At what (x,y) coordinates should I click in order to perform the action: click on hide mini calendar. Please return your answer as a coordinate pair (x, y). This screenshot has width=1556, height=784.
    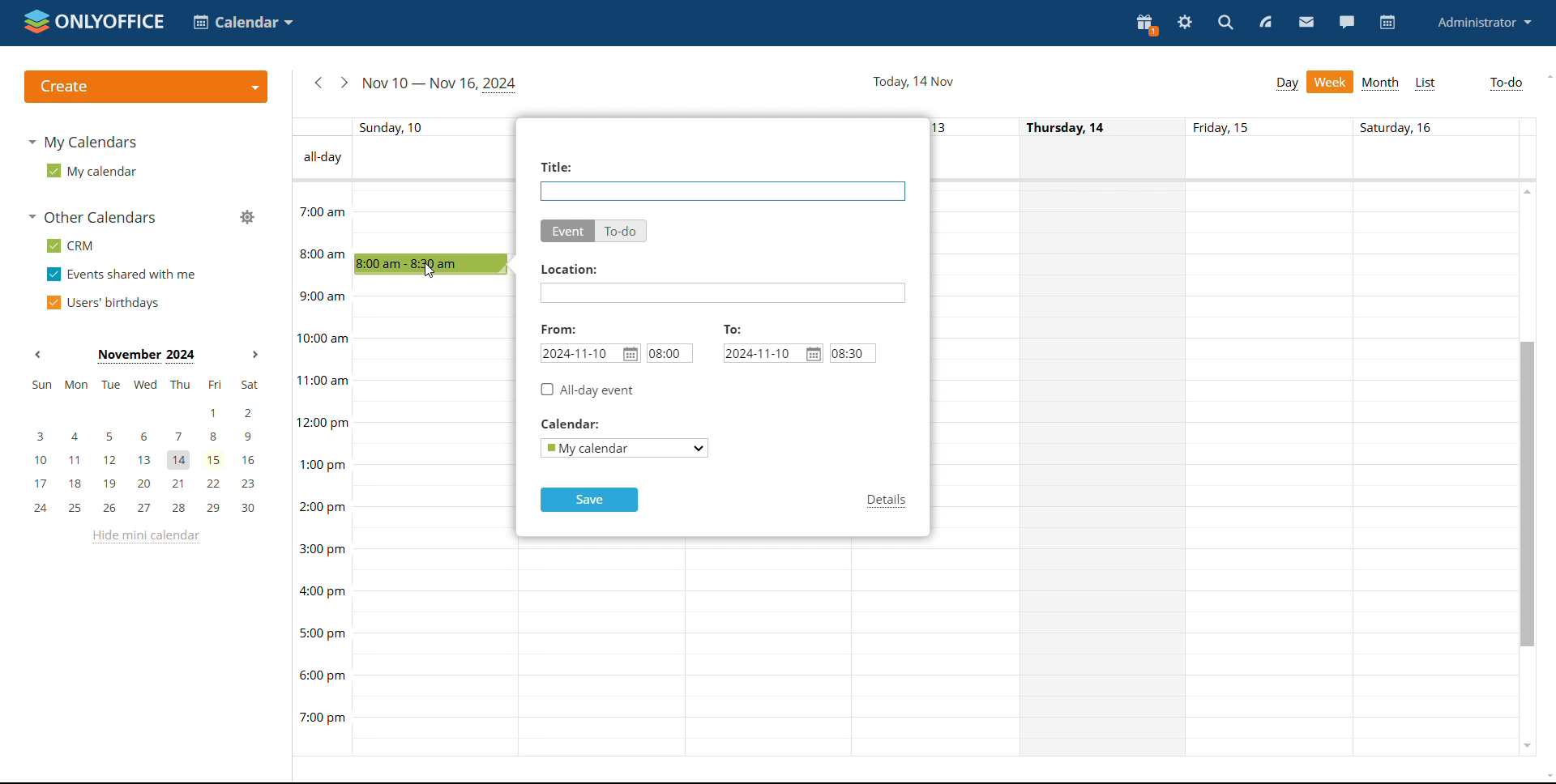
    Looking at the image, I should click on (143, 537).